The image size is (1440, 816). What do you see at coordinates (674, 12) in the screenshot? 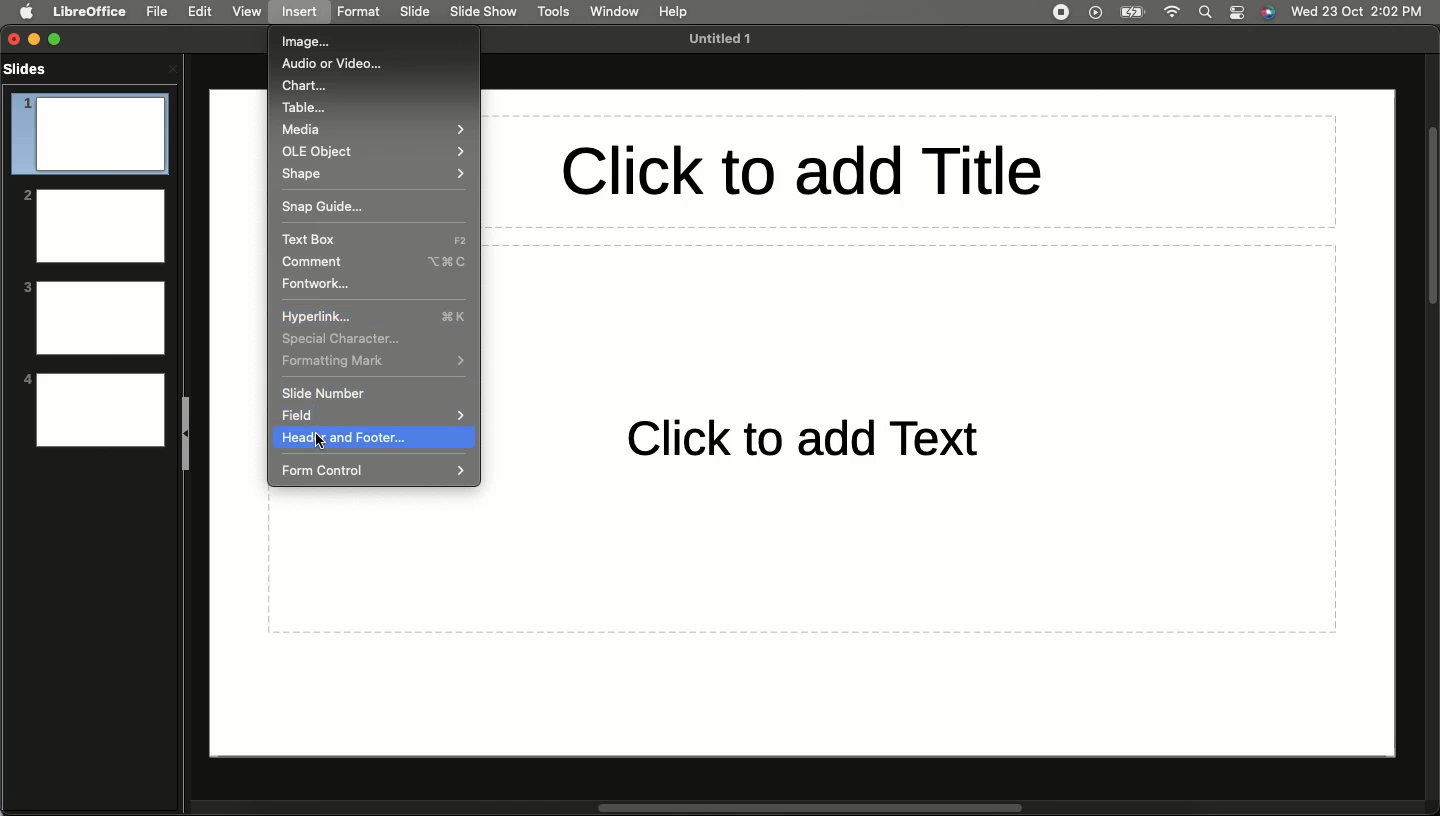
I see `Hel` at bounding box center [674, 12].